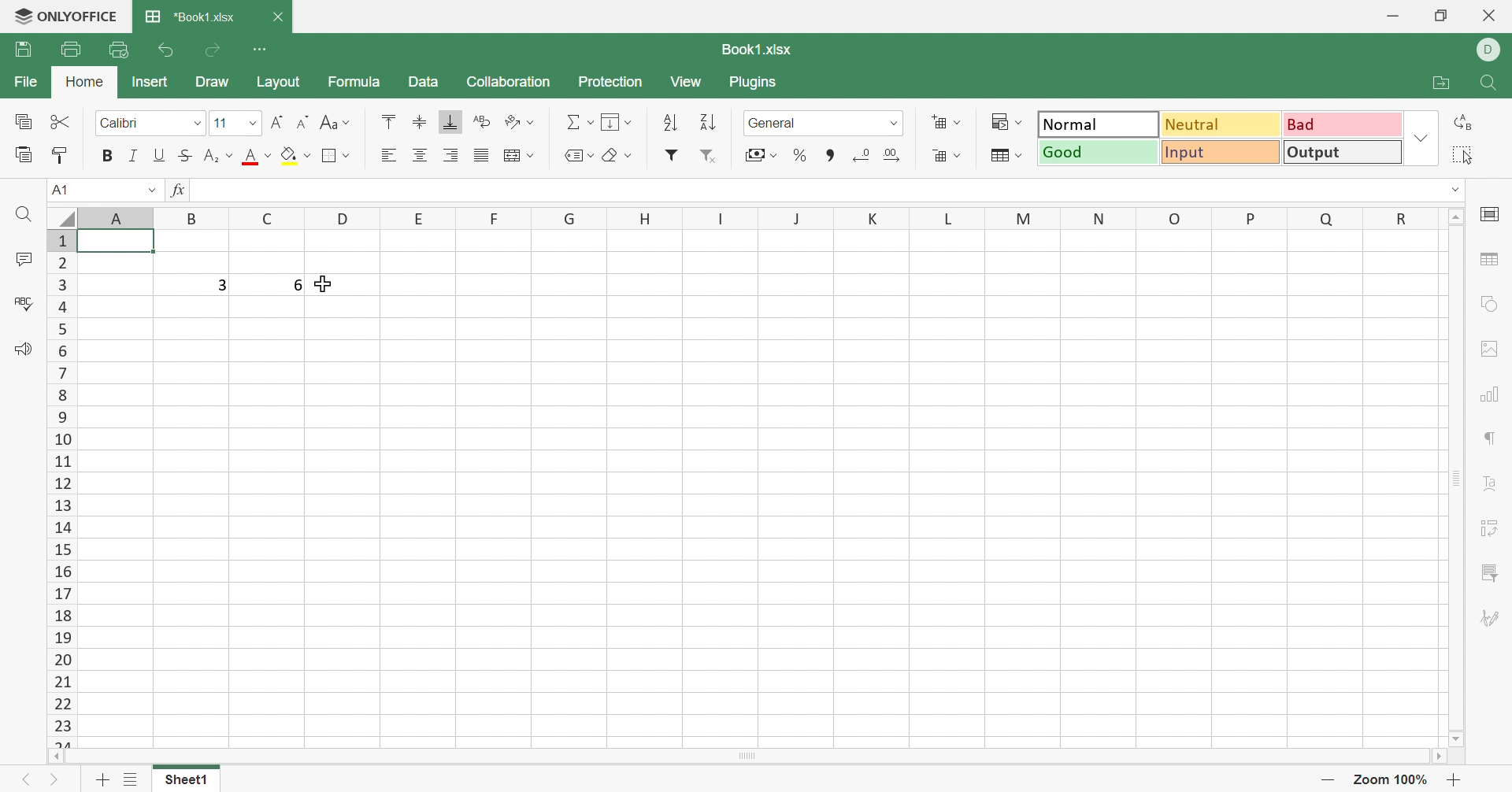  What do you see at coordinates (948, 156) in the screenshot?
I see `Delete cells` at bounding box center [948, 156].